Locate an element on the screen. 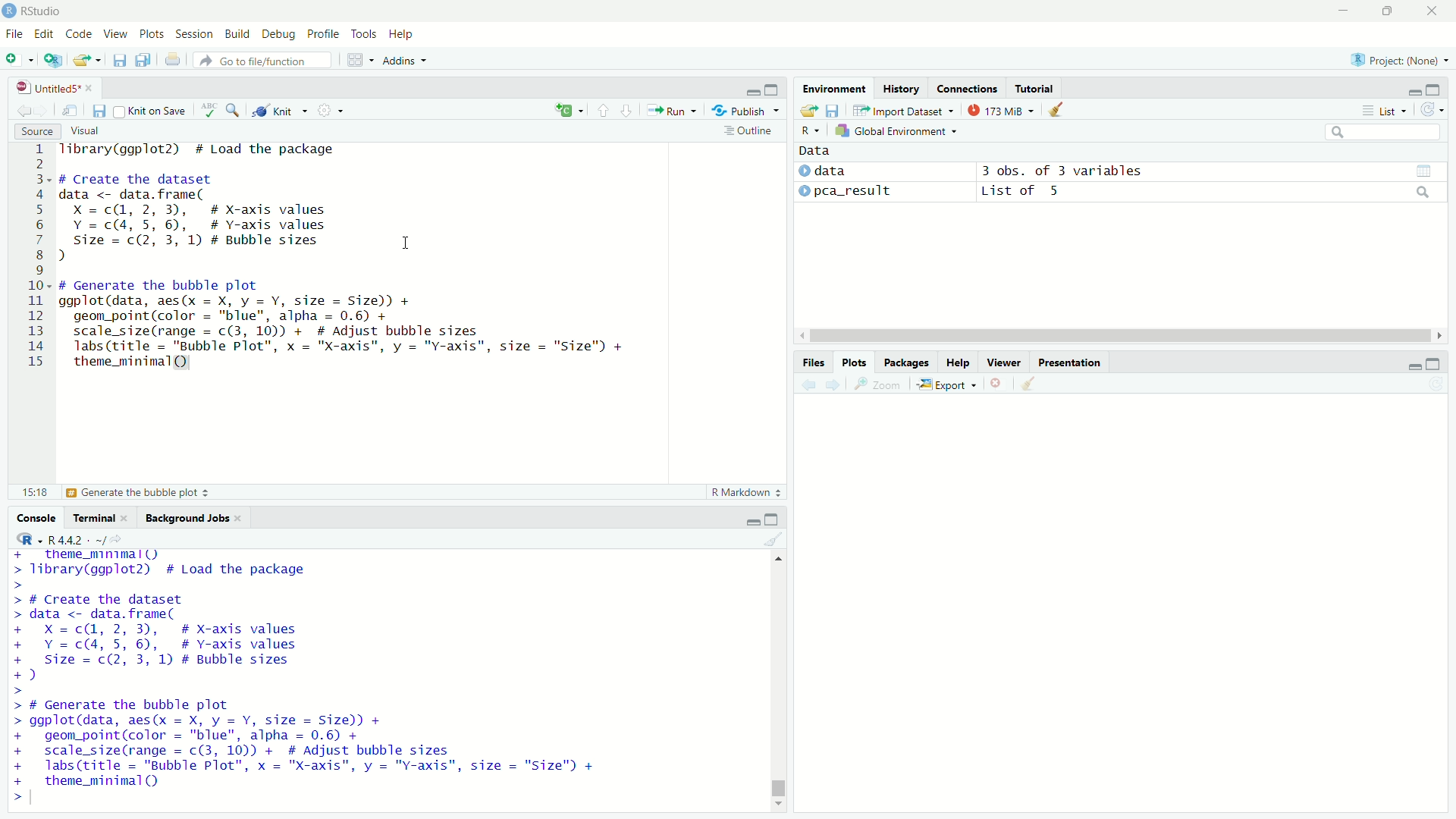 This screenshot has width=1456, height=819. data is located at coordinates (816, 151).